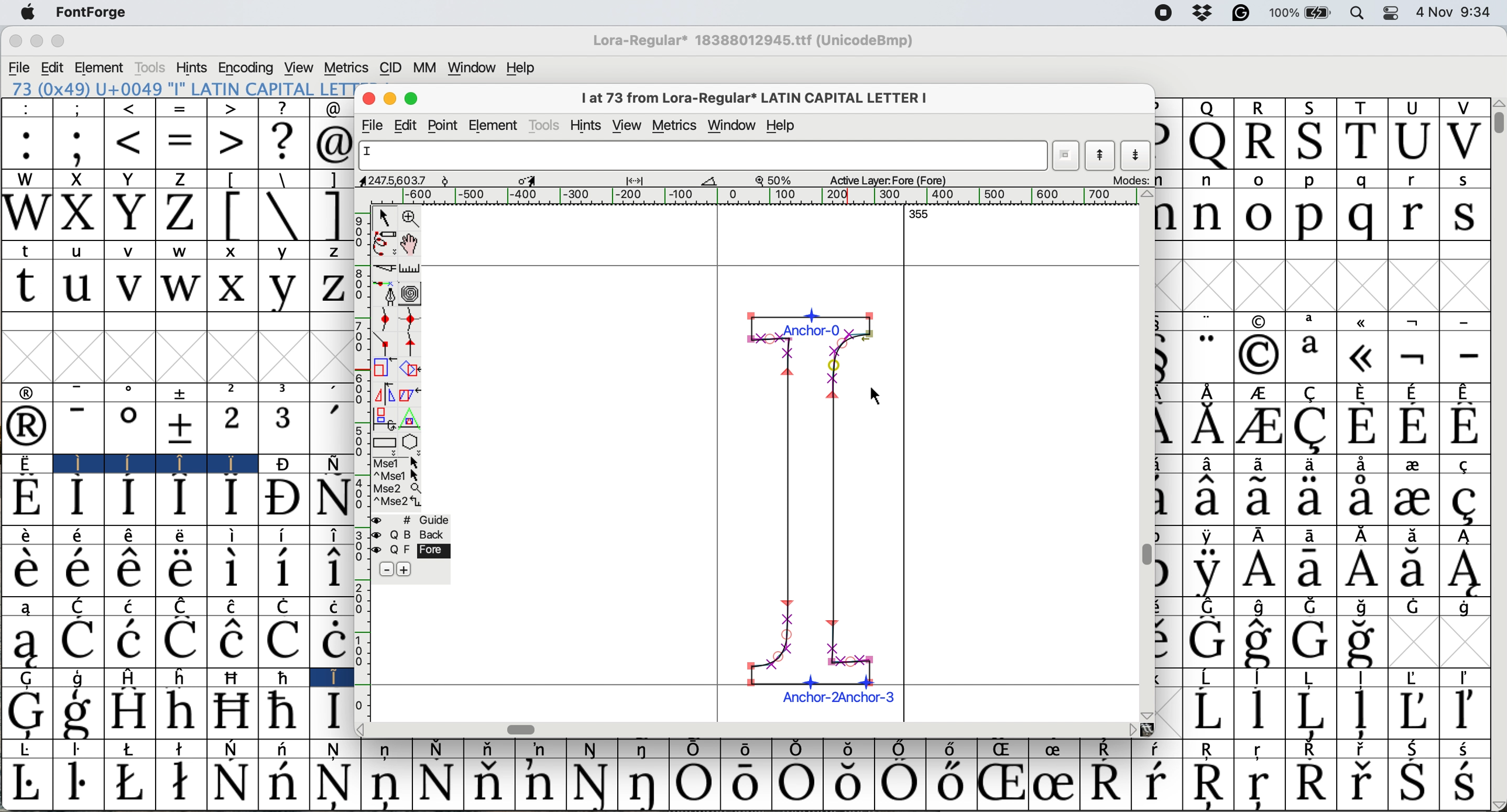 Image resolution: width=1507 pixels, height=812 pixels. What do you see at coordinates (1055, 783) in the screenshot?
I see `Symbol` at bounding box center [1055, 783].